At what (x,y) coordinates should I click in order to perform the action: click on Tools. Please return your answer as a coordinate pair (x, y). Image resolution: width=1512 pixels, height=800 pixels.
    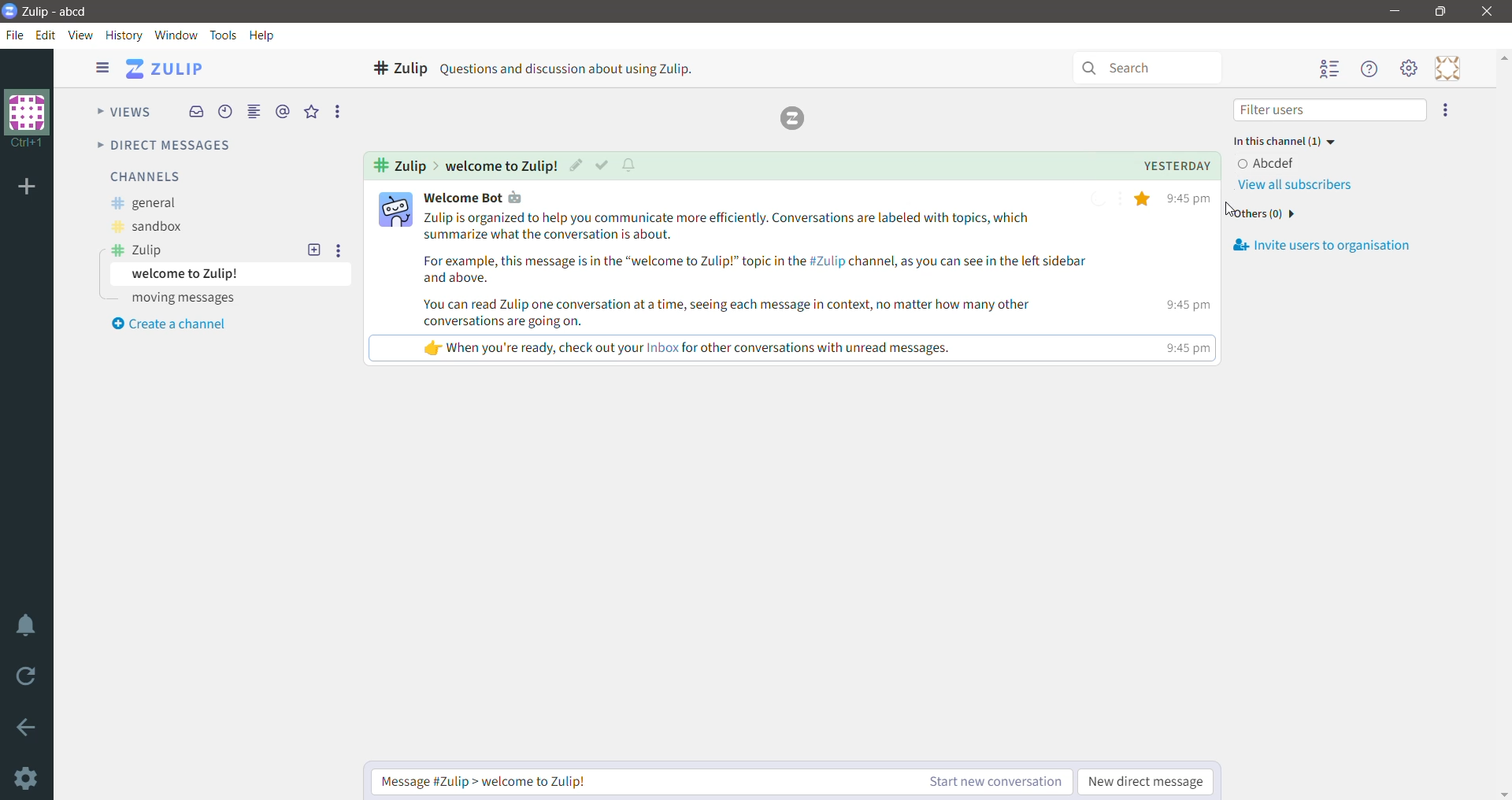
    Looking at the image, I should click on (223, 35).